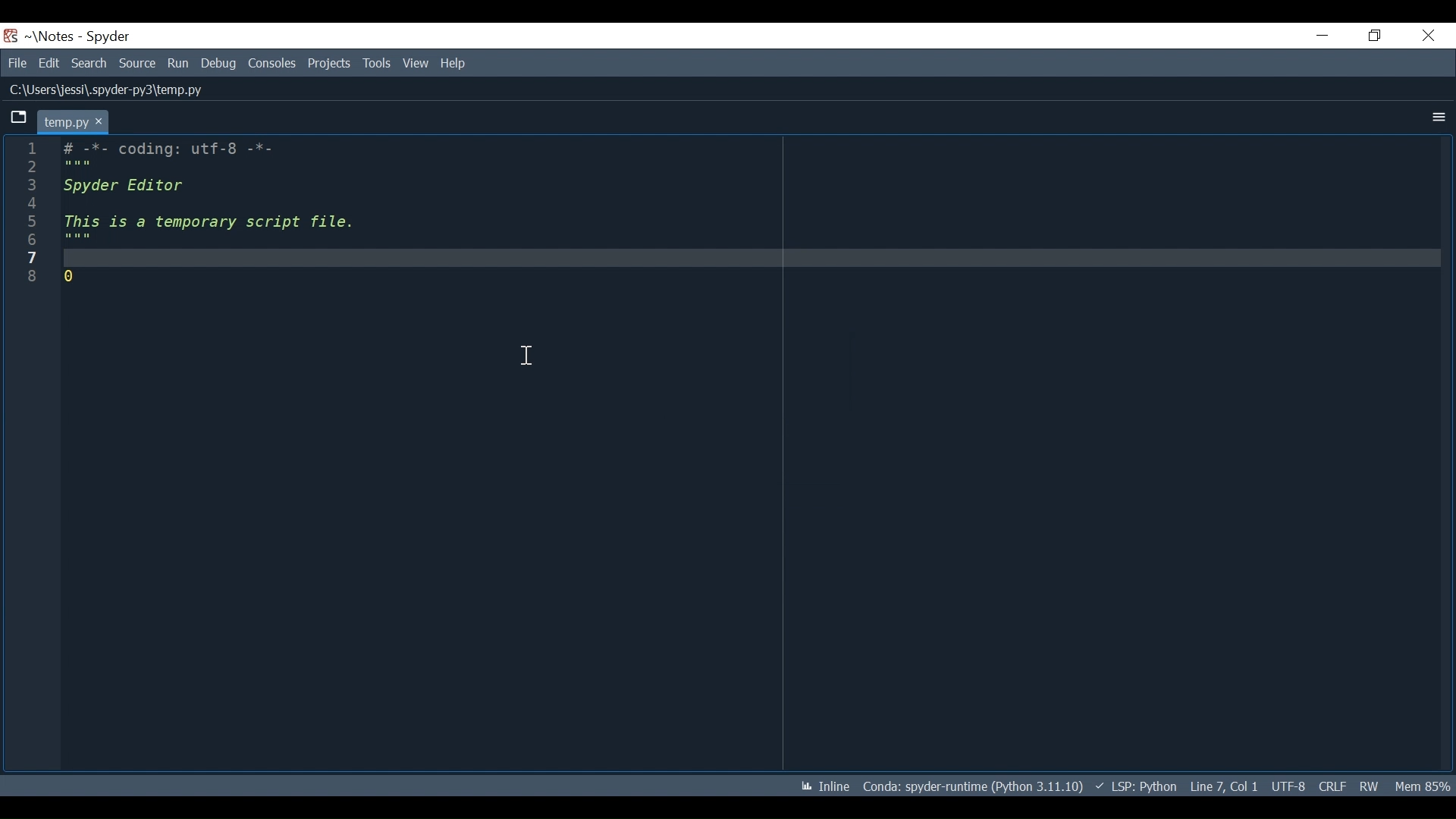  What do you see at coordinates (90, 62) in the screenshot?
I see `Search` at bounding box center [90, 62].